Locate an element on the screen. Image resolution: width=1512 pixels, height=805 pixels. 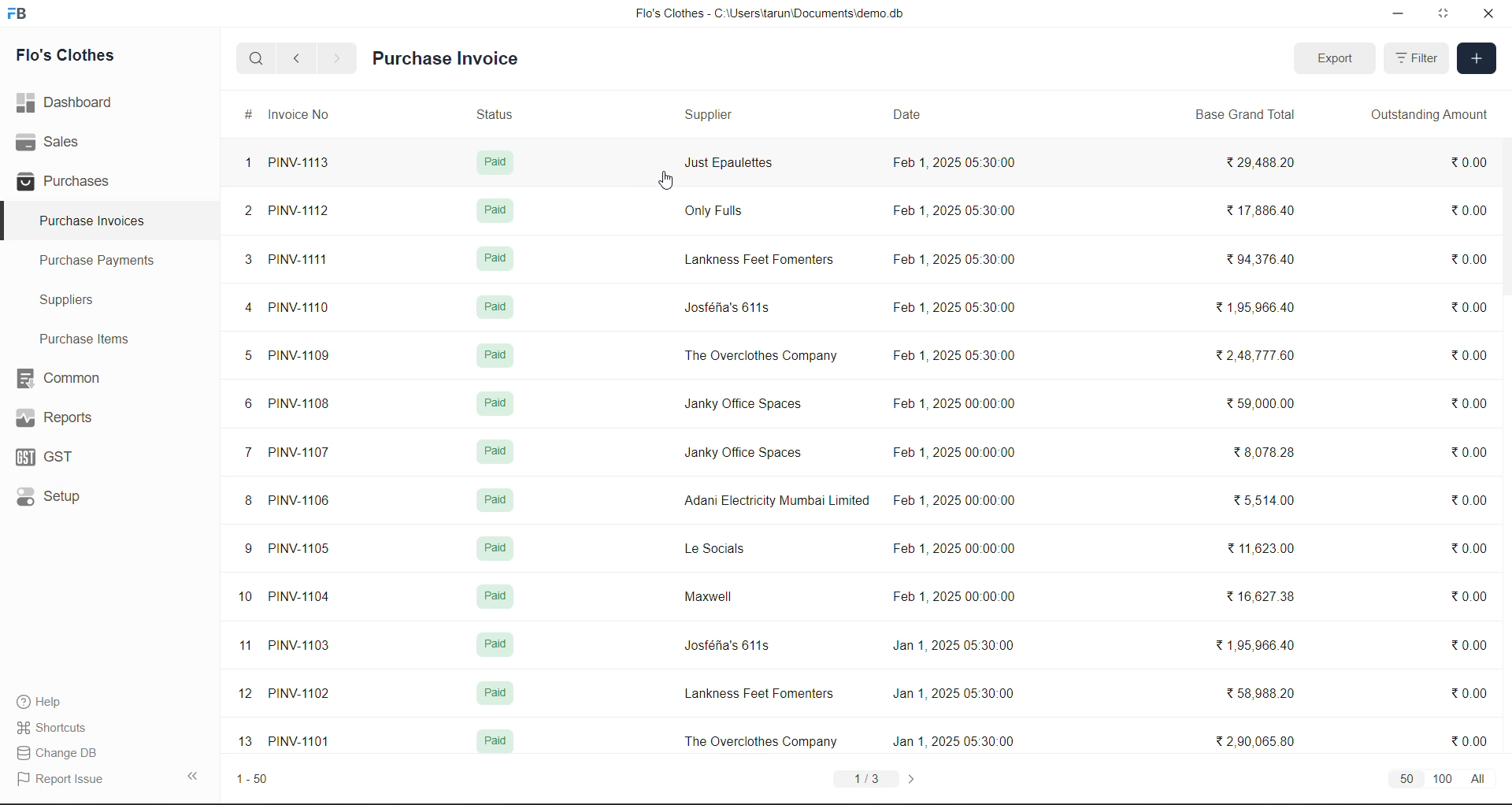
PINV-1108 is located at coordinates (303, 406).